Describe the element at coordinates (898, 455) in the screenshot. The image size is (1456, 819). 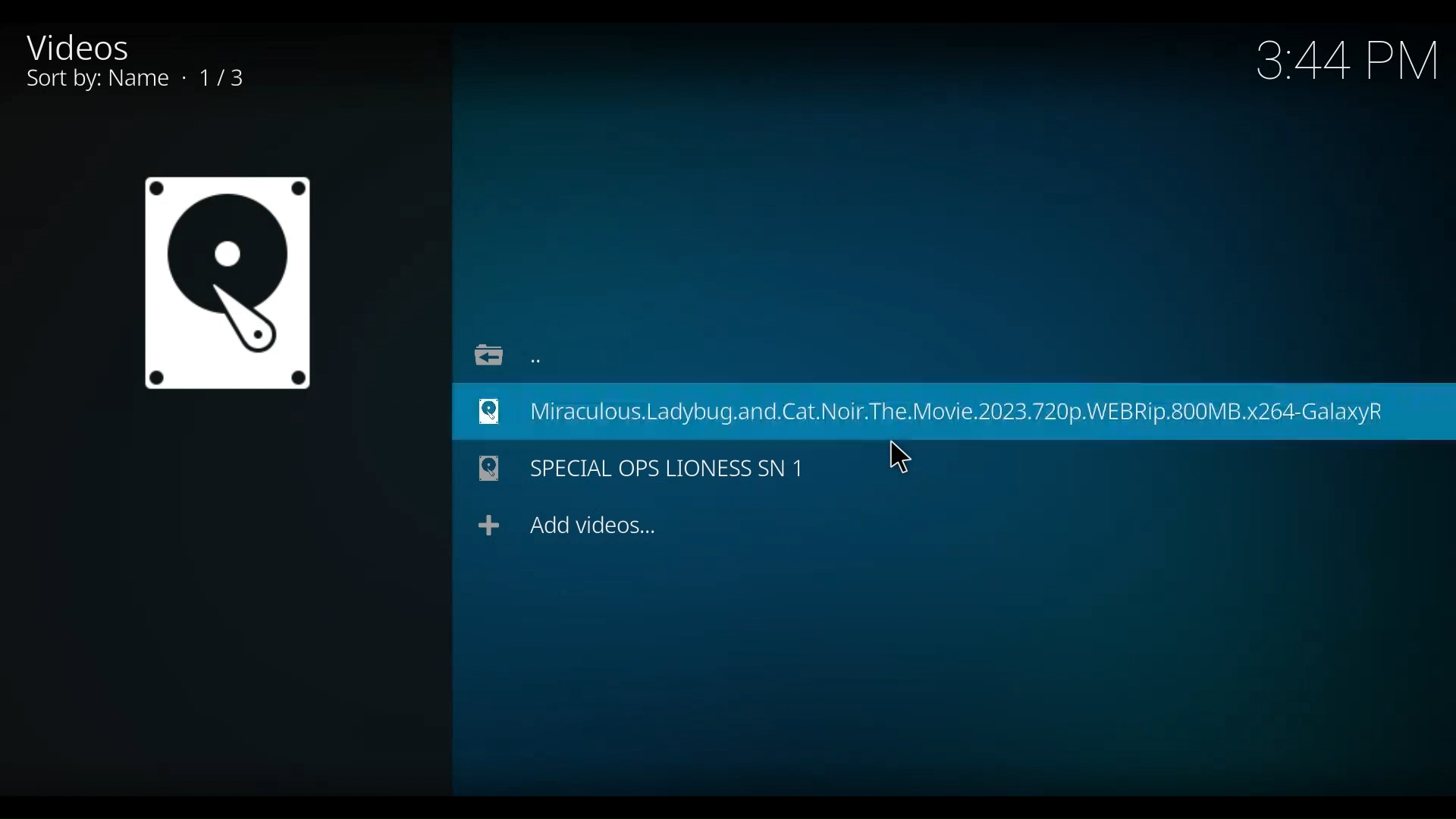
I see `Cursor` at that location.